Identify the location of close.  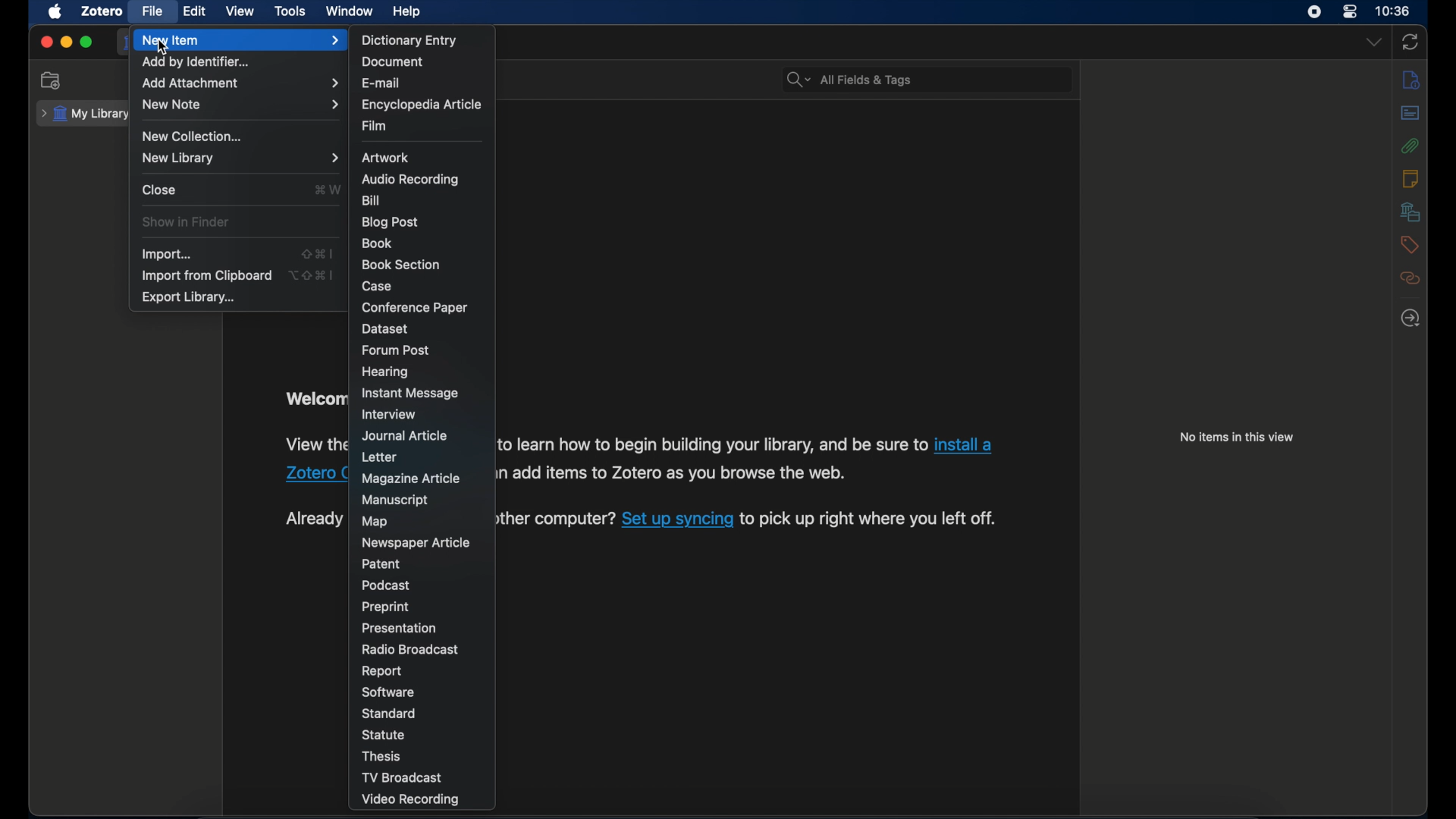
(46, 42).